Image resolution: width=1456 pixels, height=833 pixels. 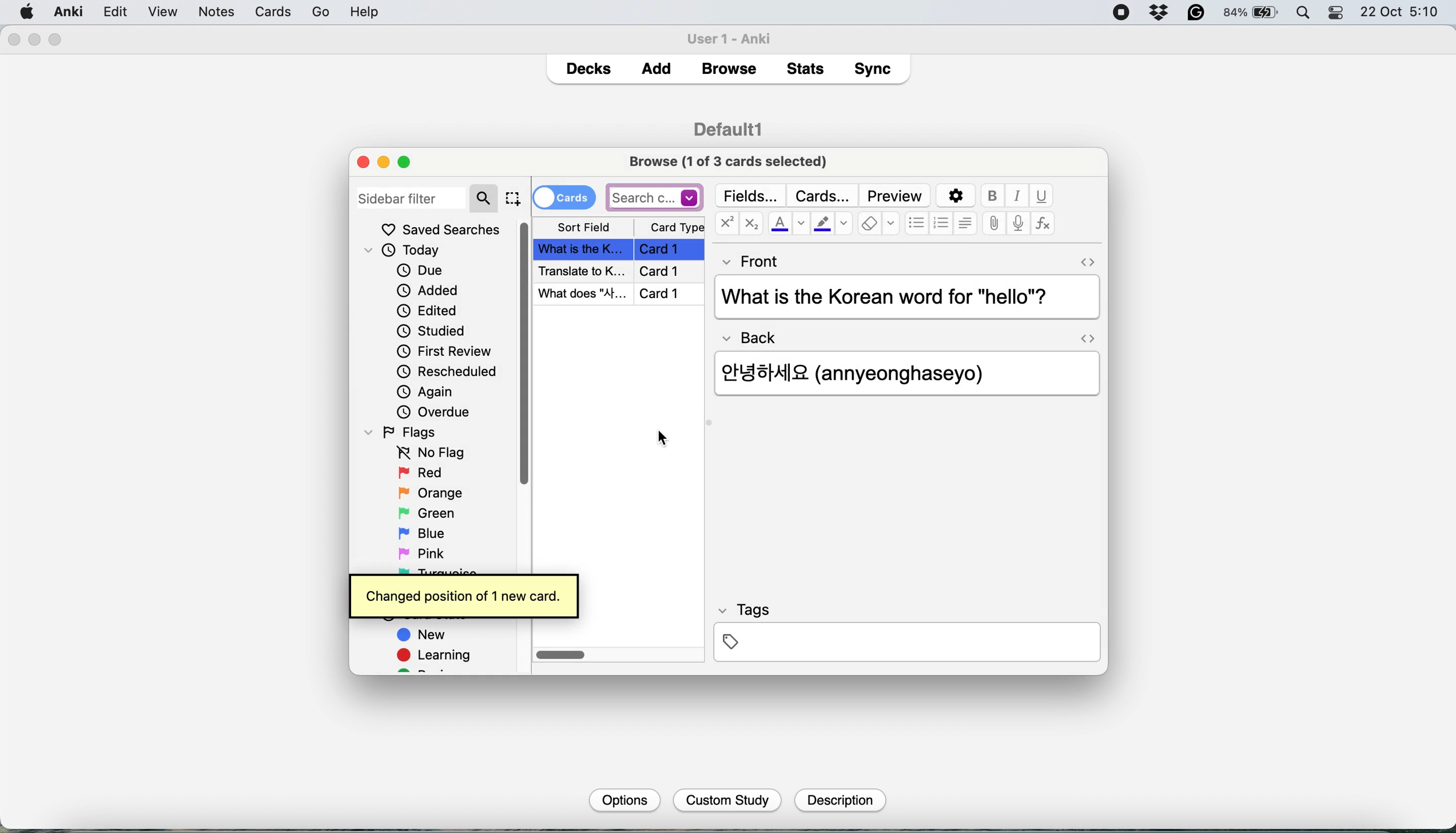 I want to click on overdue, so click(x=432, y=412).